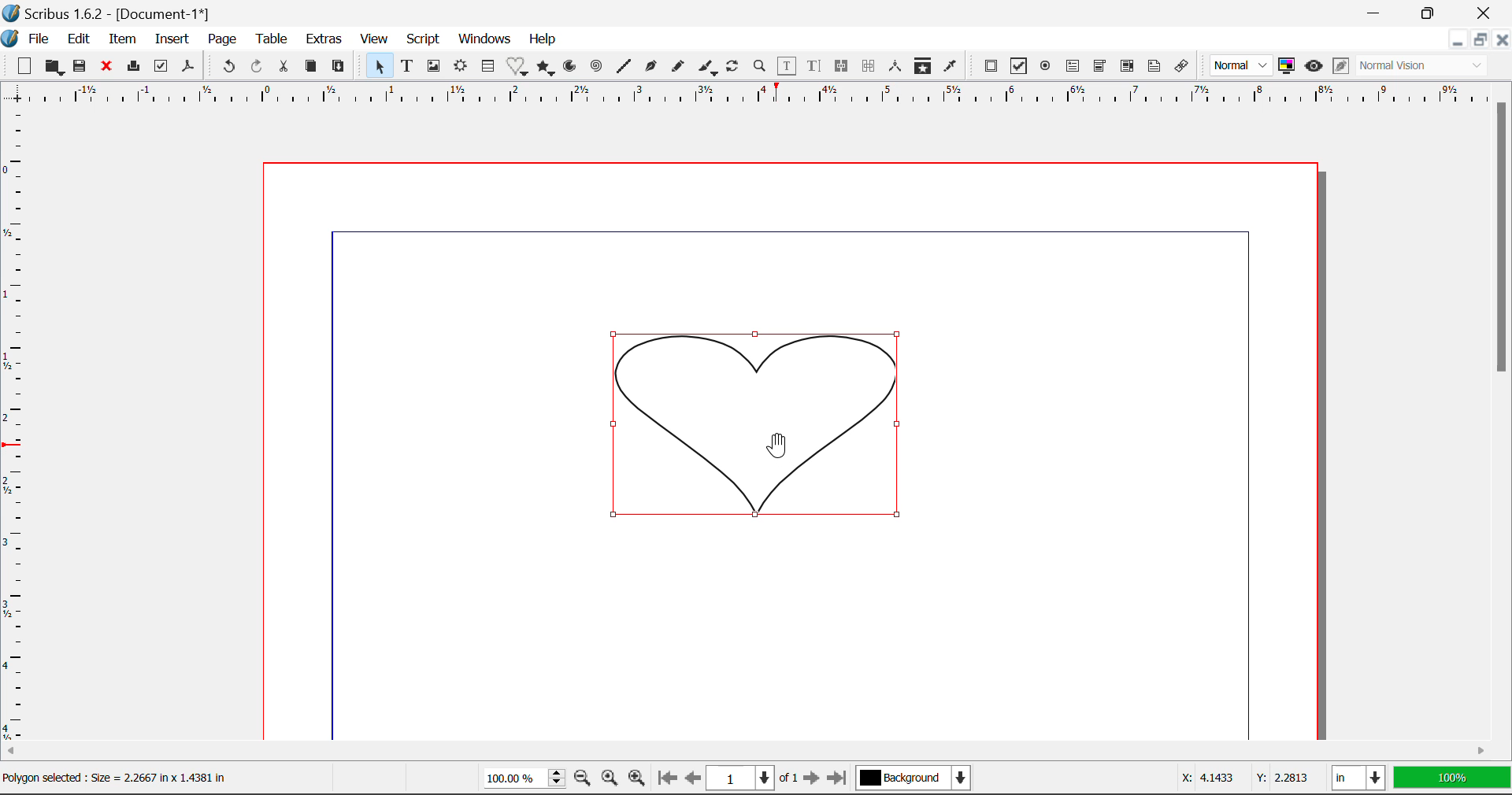  What do you see at coordinates (1340, 66) in the screenshot?
I see `Edit in Preview Mode` at bounding box center [1340, 66].